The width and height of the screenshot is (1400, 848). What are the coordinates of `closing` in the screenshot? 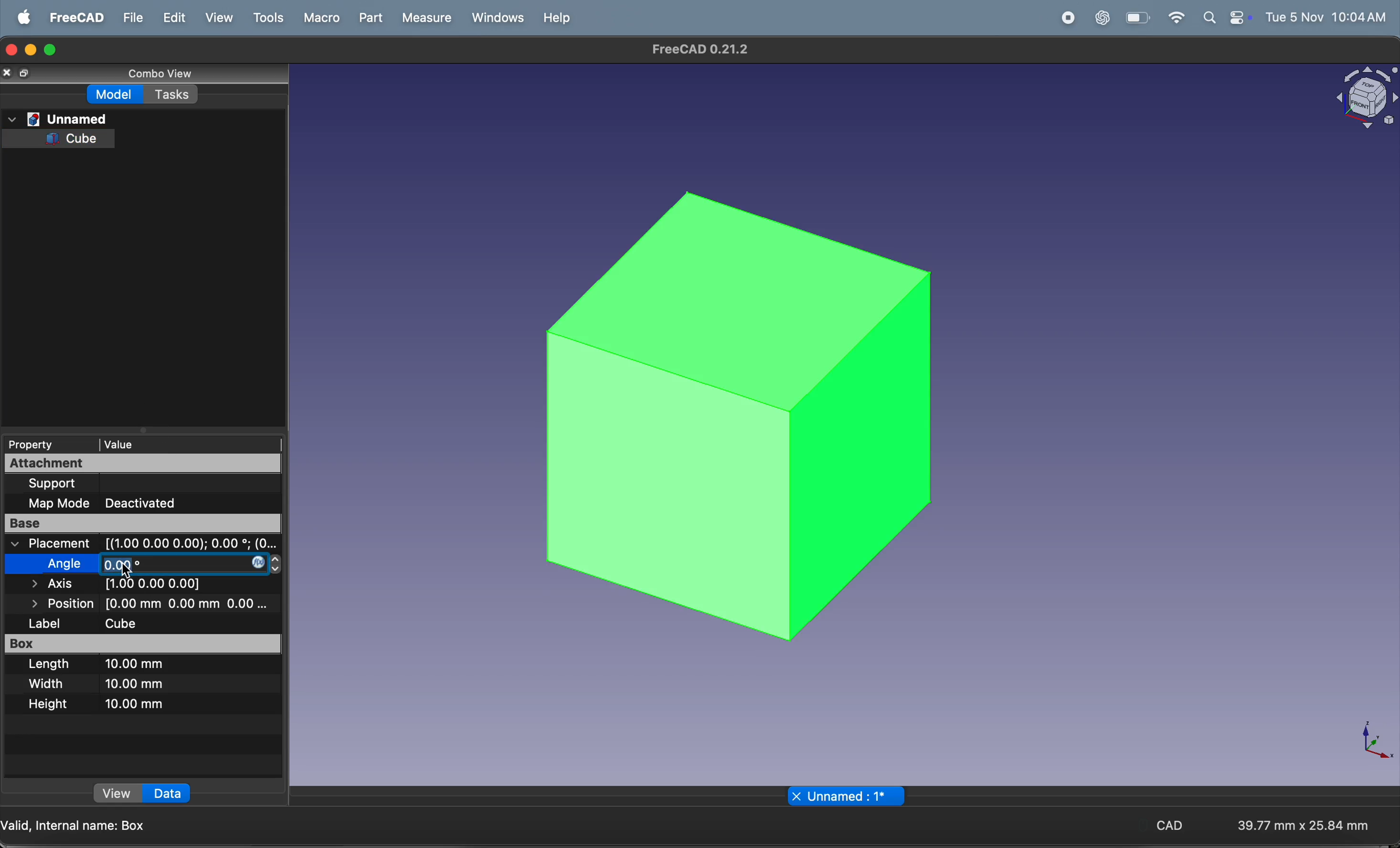 It's located at (14, 49).